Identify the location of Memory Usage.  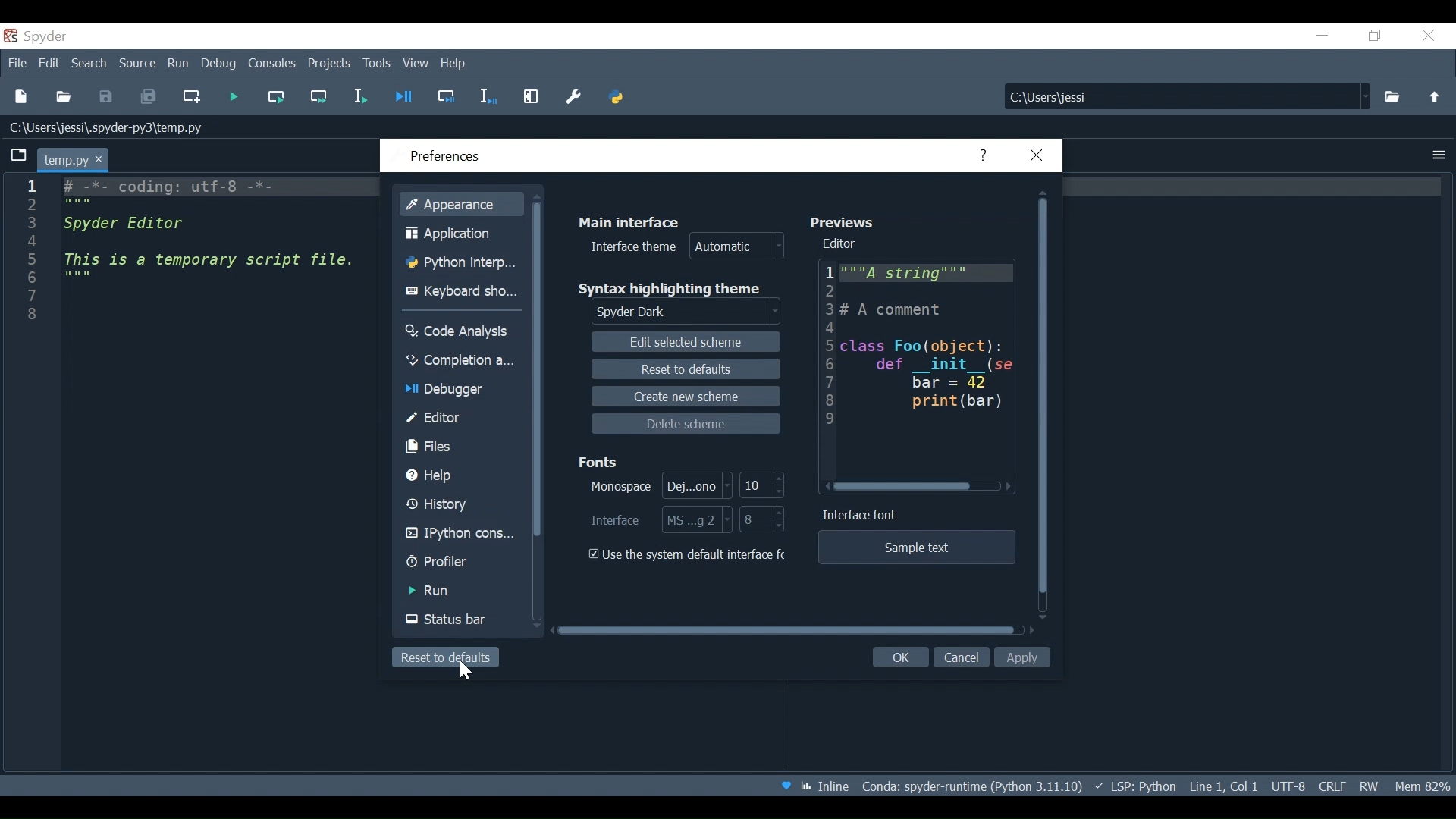
(1419, 786).